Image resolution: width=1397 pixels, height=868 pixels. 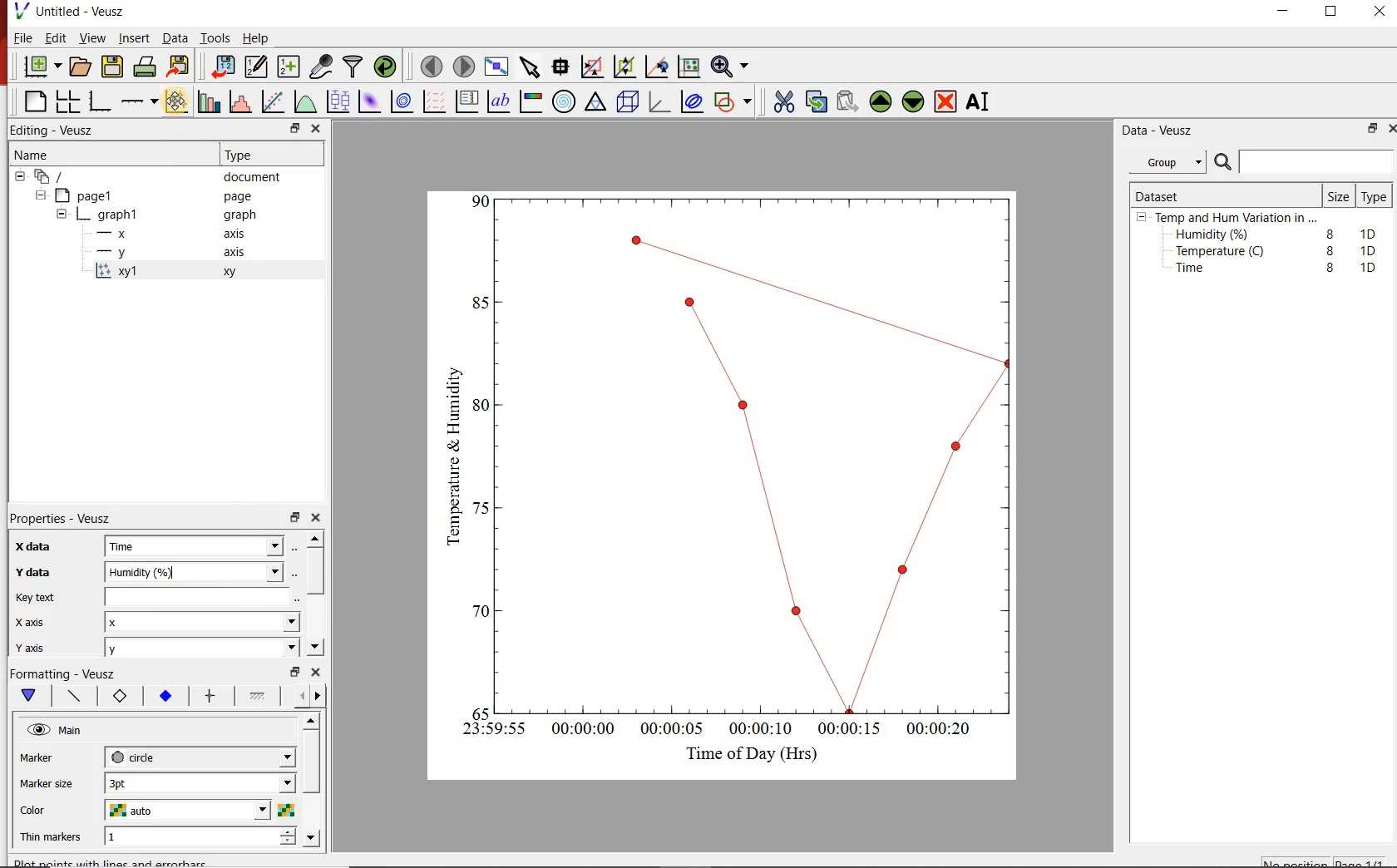 What do you see at coordinates (662, 104) in the screenshot?
I see `3d graph` at bounding box center [662, 104].